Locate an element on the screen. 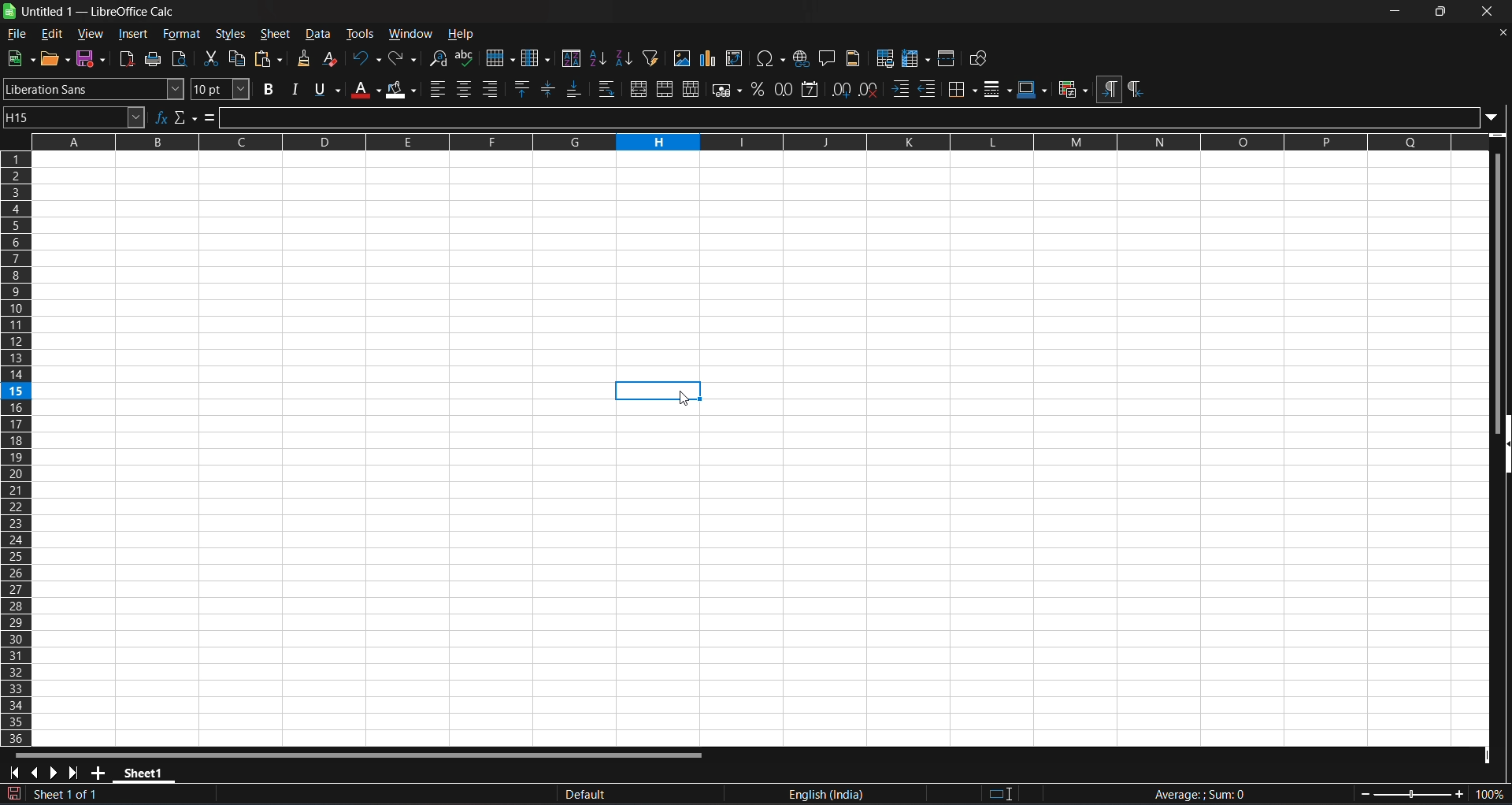 The height and width of the screenshot is (805, 1512). left to right is located at coordinates (1109, 89).